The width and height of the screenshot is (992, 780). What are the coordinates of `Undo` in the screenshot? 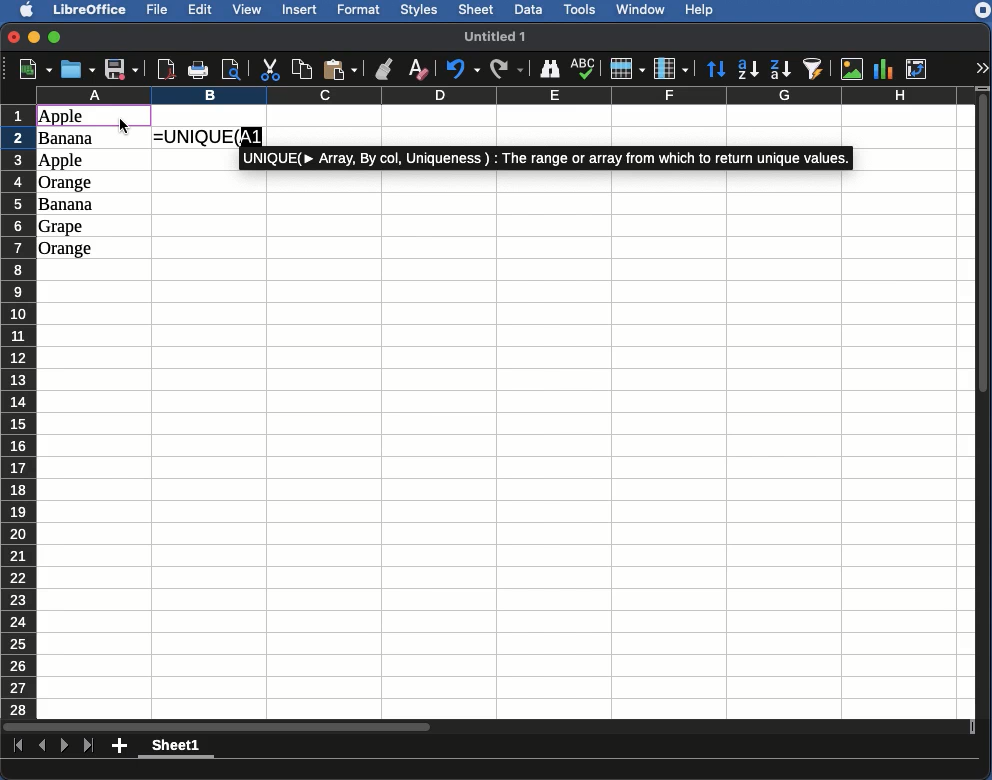 It's located at (462, 70).